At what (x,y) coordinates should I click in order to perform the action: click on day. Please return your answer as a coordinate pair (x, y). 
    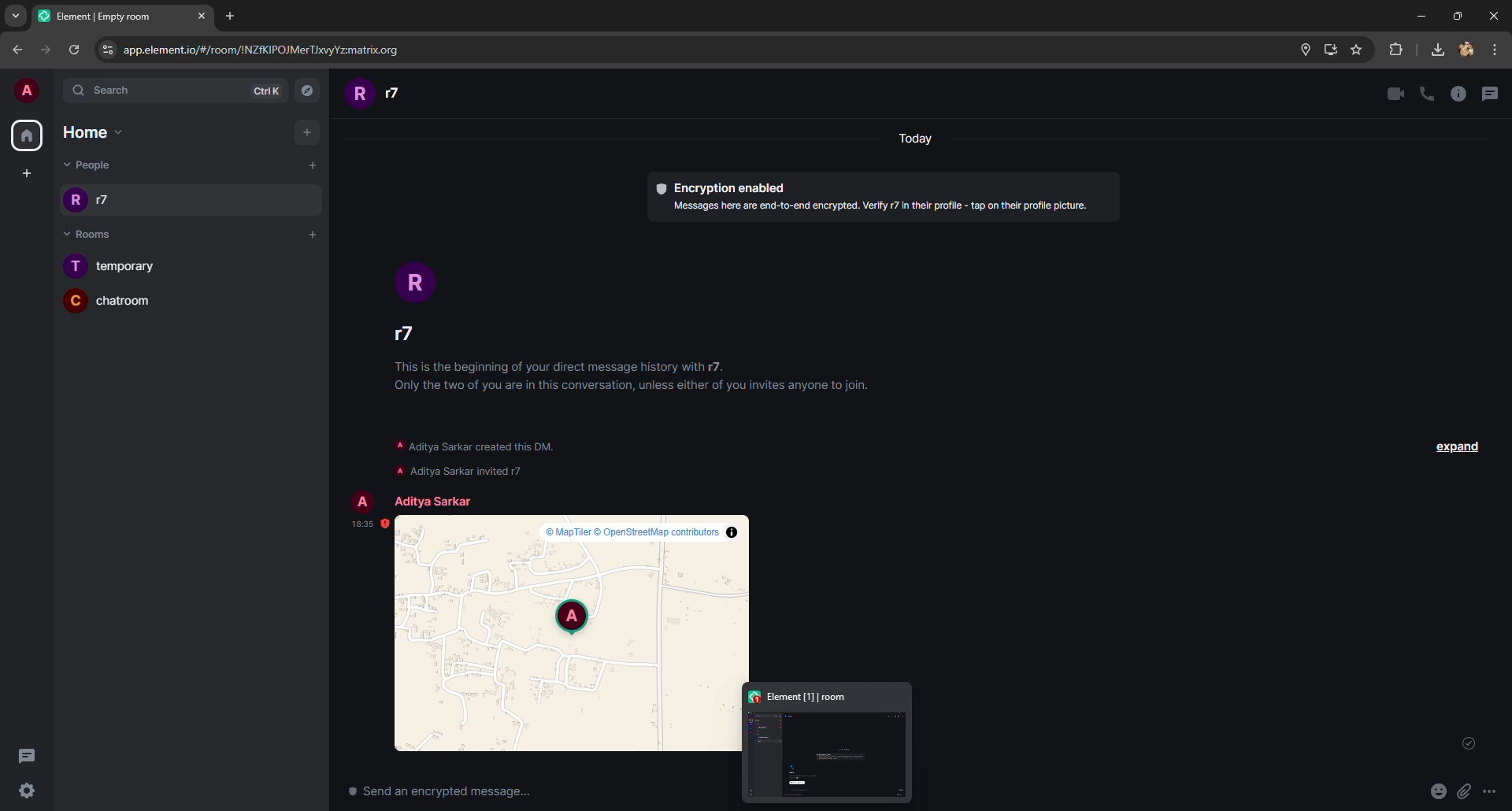
    Looking at the image, I should click on (920, 139).